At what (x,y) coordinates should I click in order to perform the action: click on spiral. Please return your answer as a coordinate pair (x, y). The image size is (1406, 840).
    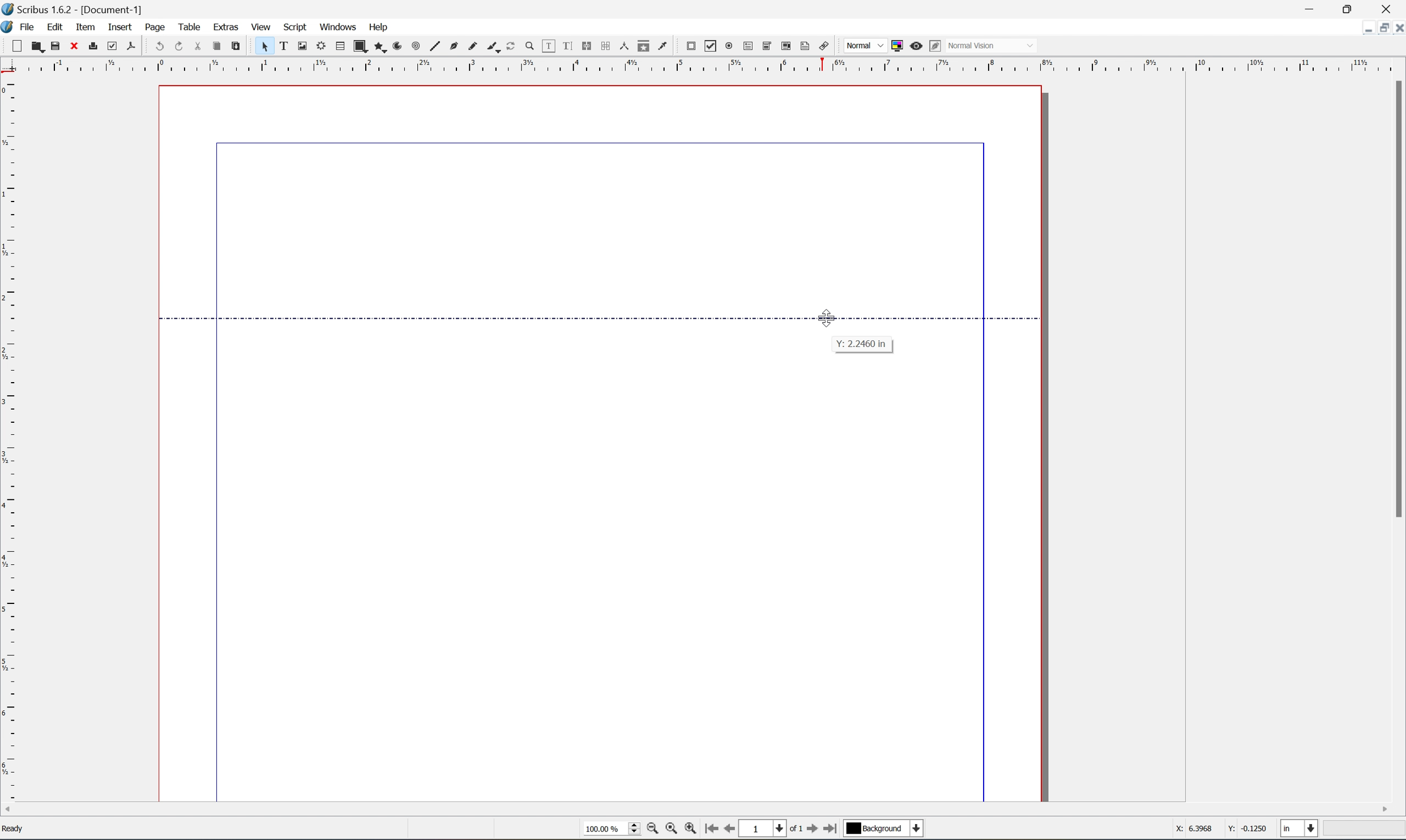
    Looking at the image, I should click on (416, 47).